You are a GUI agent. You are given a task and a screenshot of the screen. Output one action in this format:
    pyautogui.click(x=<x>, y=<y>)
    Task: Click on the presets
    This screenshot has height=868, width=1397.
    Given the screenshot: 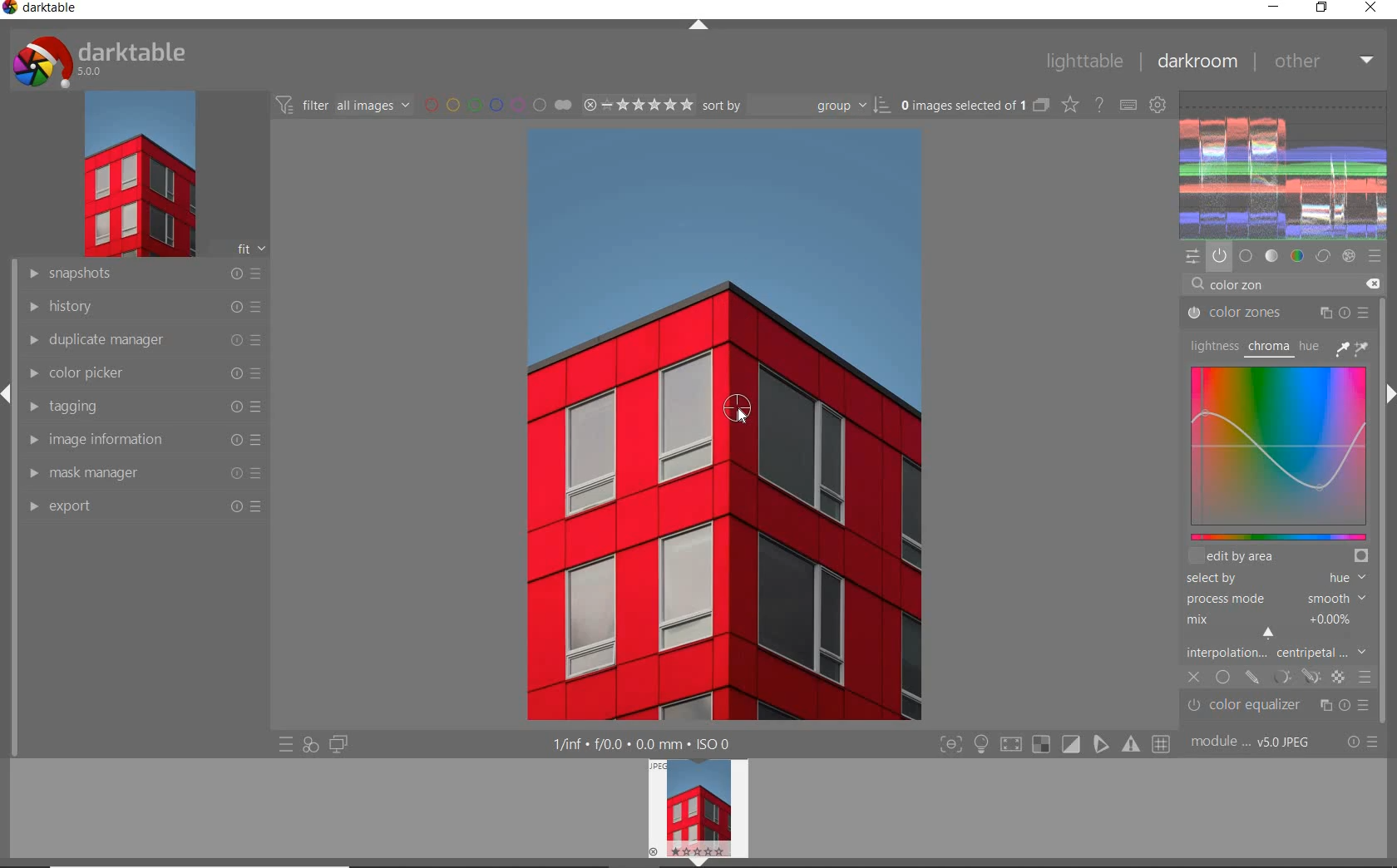 What is the action you would take?
    pyautogui.click(x=1375, y=254)
    